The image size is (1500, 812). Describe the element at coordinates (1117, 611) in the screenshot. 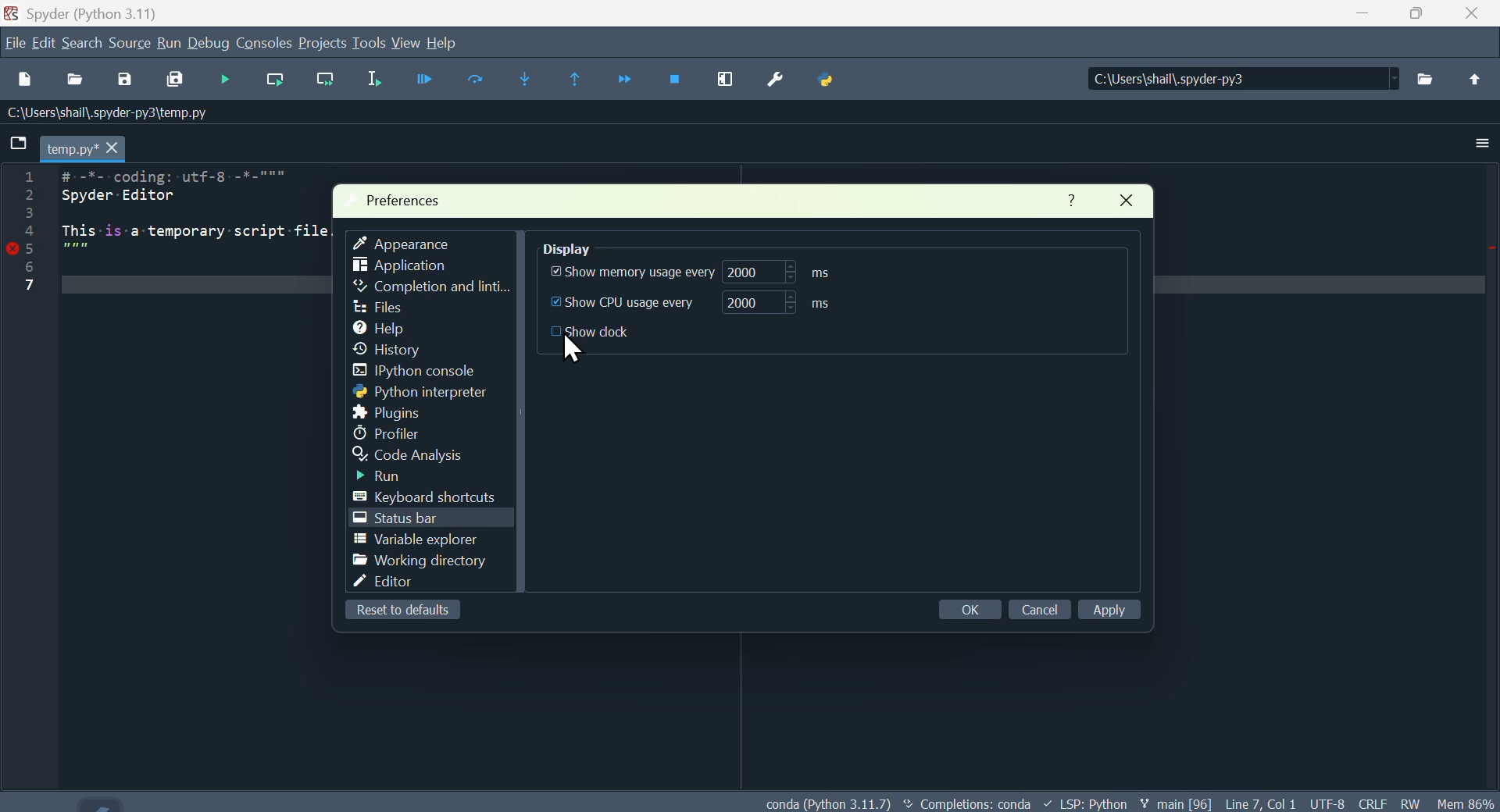

I see `Apply` at that location.